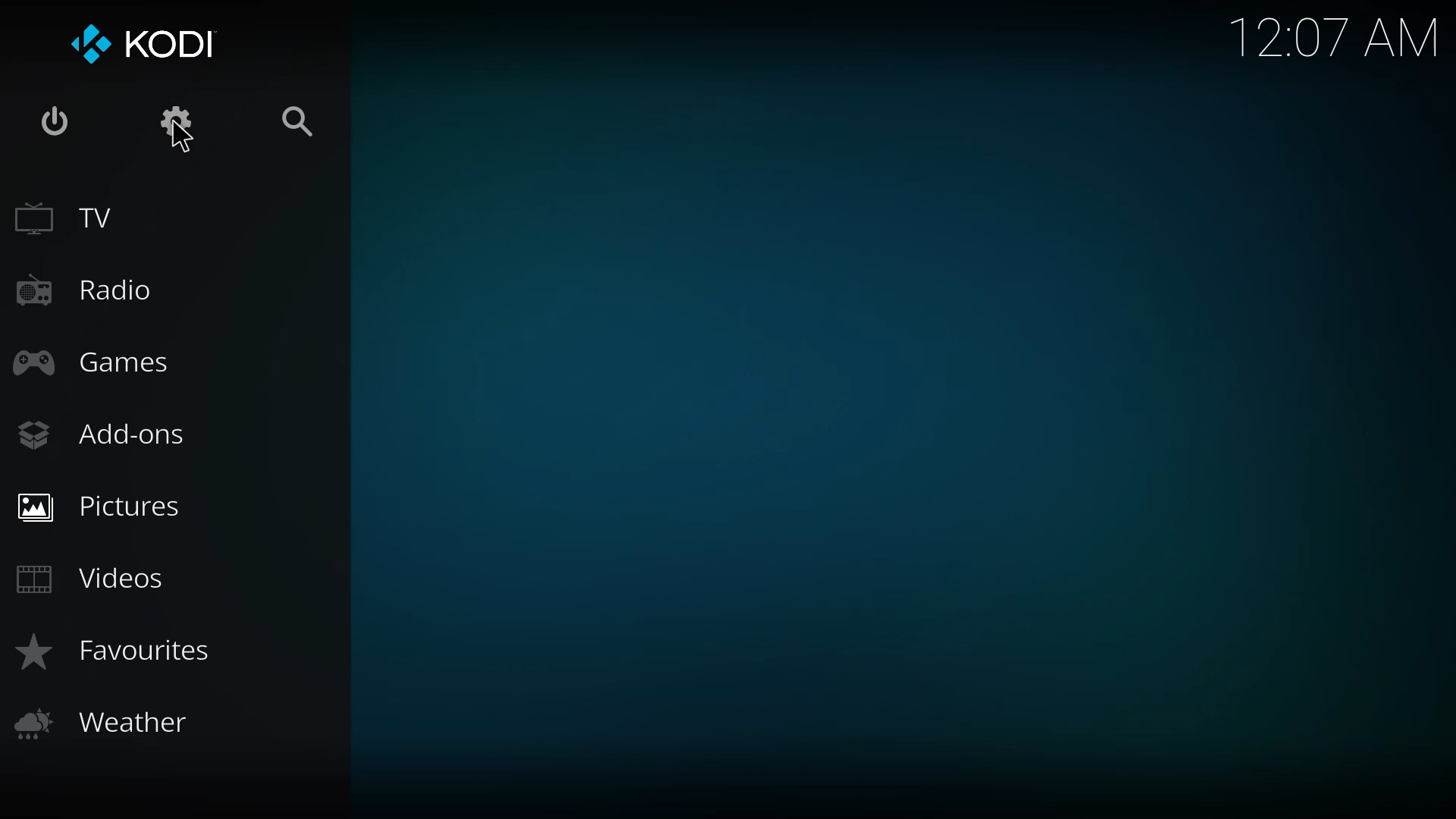 The image size is (1456, 819). Describe the element at coordinates (55, 123) in the screenshot. I see `power` at that location.